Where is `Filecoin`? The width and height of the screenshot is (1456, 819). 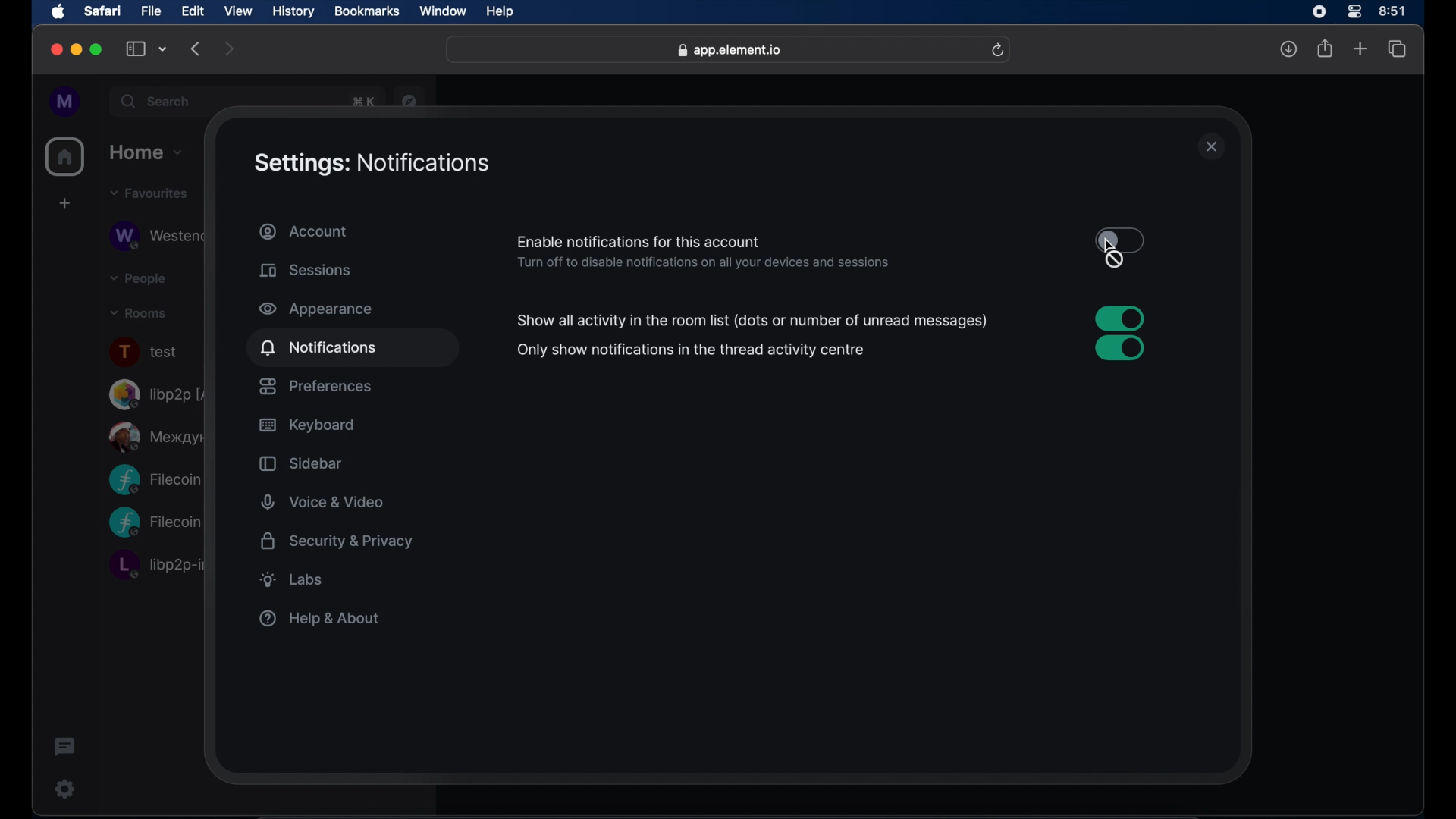 Filecoin is located at coordinates (154, 522).